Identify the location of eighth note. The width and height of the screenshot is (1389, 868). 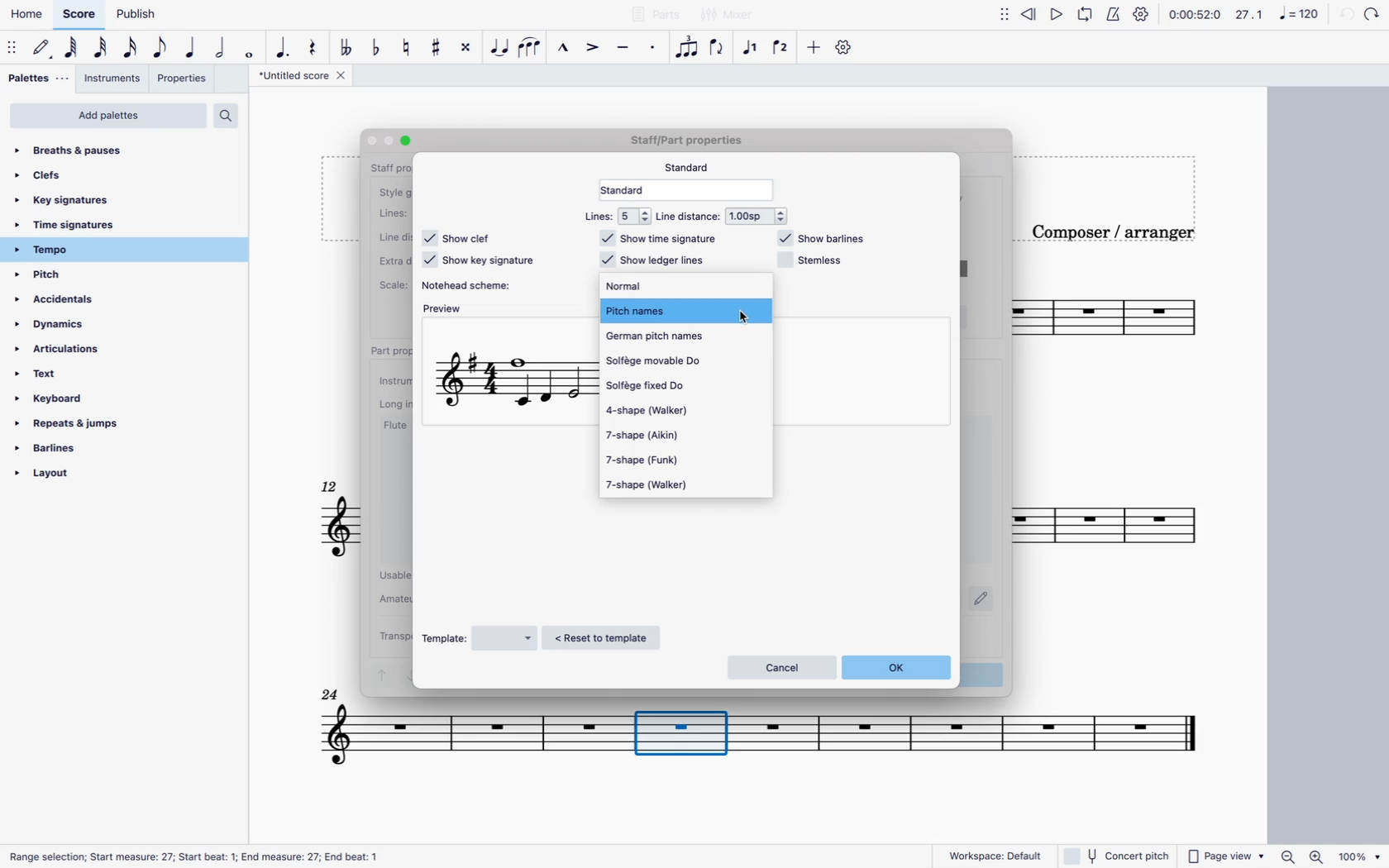
(161, 48).